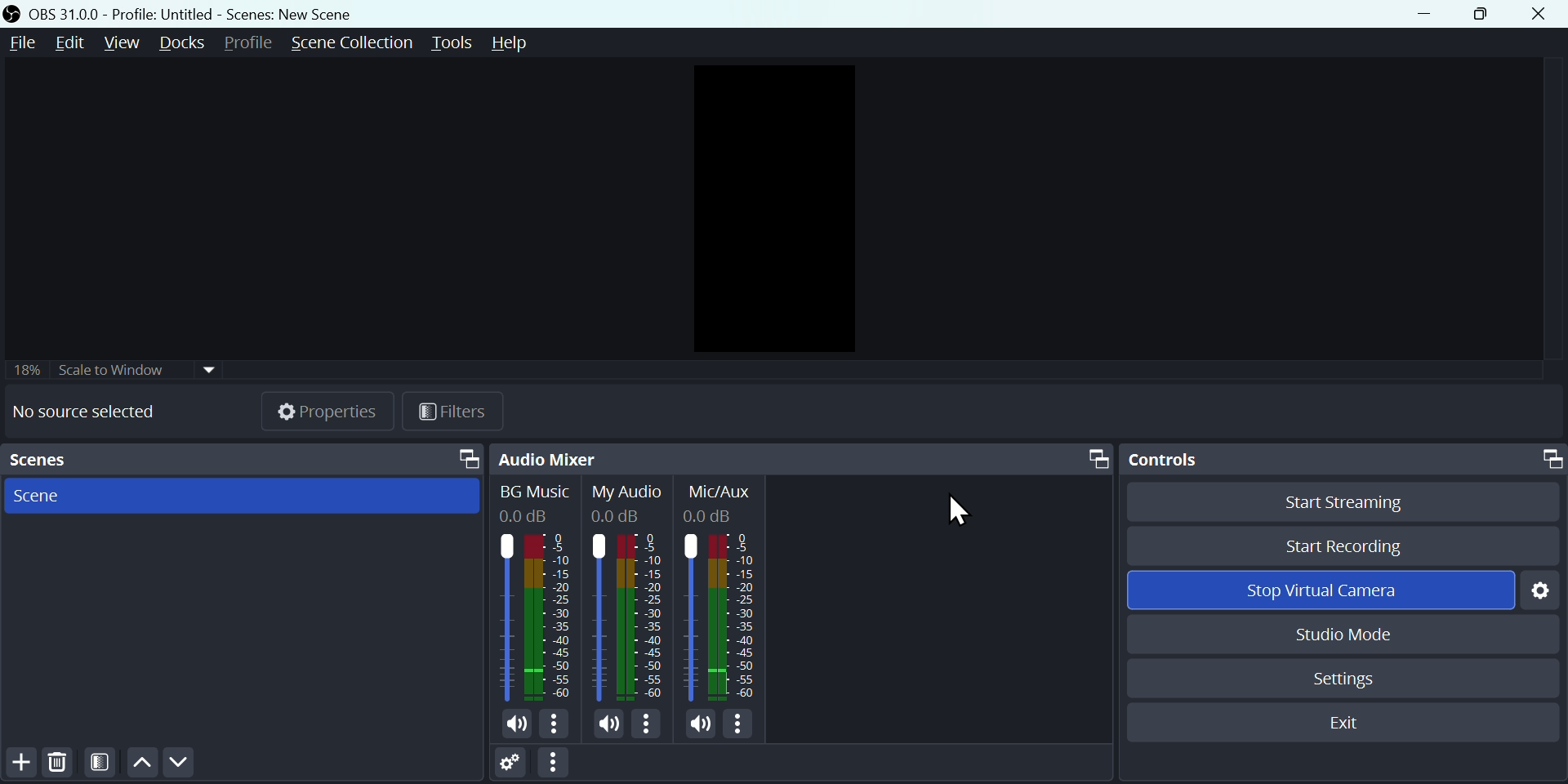 This screenshot has height=784, width=1568. Describe the element at coordinates (356, 43) in the screenshot. I see `Scene collection` at that location.